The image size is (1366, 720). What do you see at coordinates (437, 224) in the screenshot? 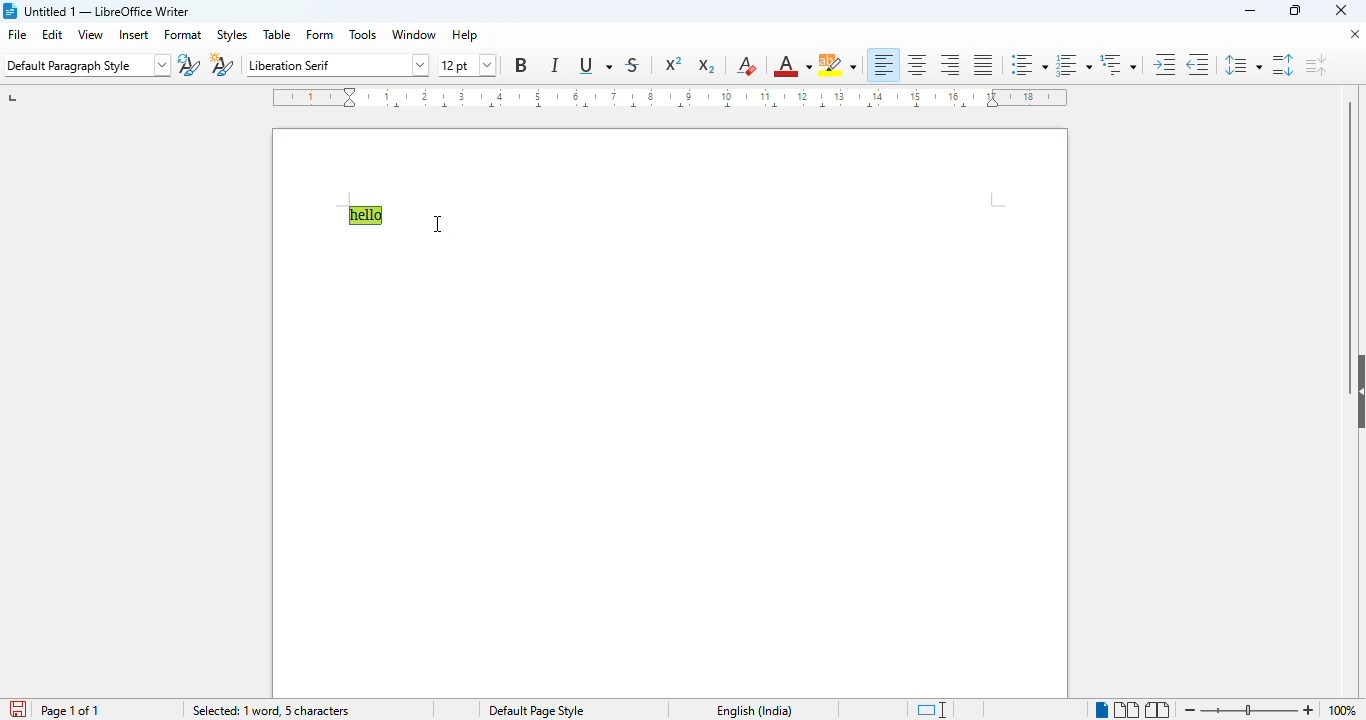
I see `cursor` at bounding box center [437, 224].